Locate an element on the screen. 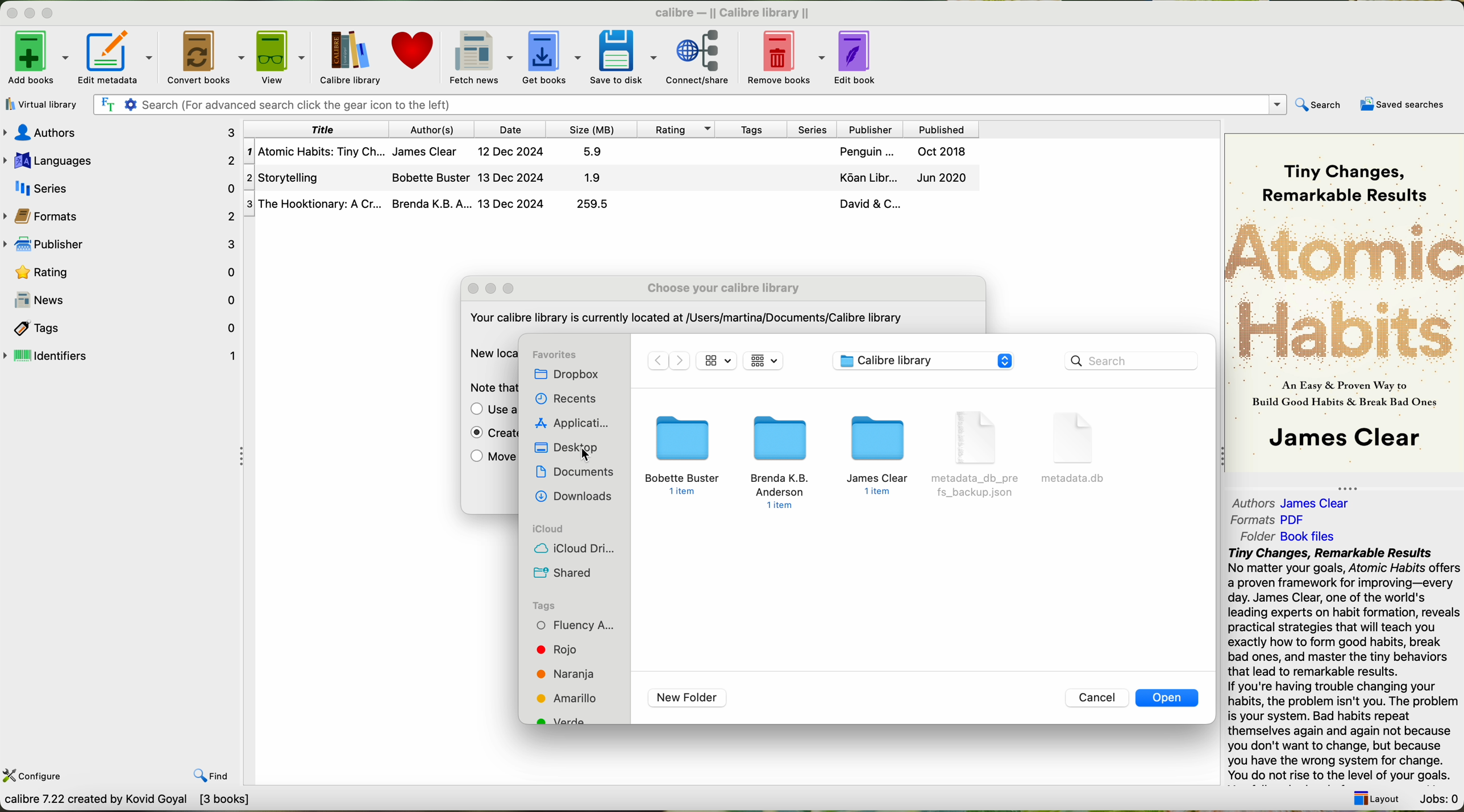 Image resolution: width=1464 pixels, height=812 pixels. save to disk is located at coordinates (624, 56).